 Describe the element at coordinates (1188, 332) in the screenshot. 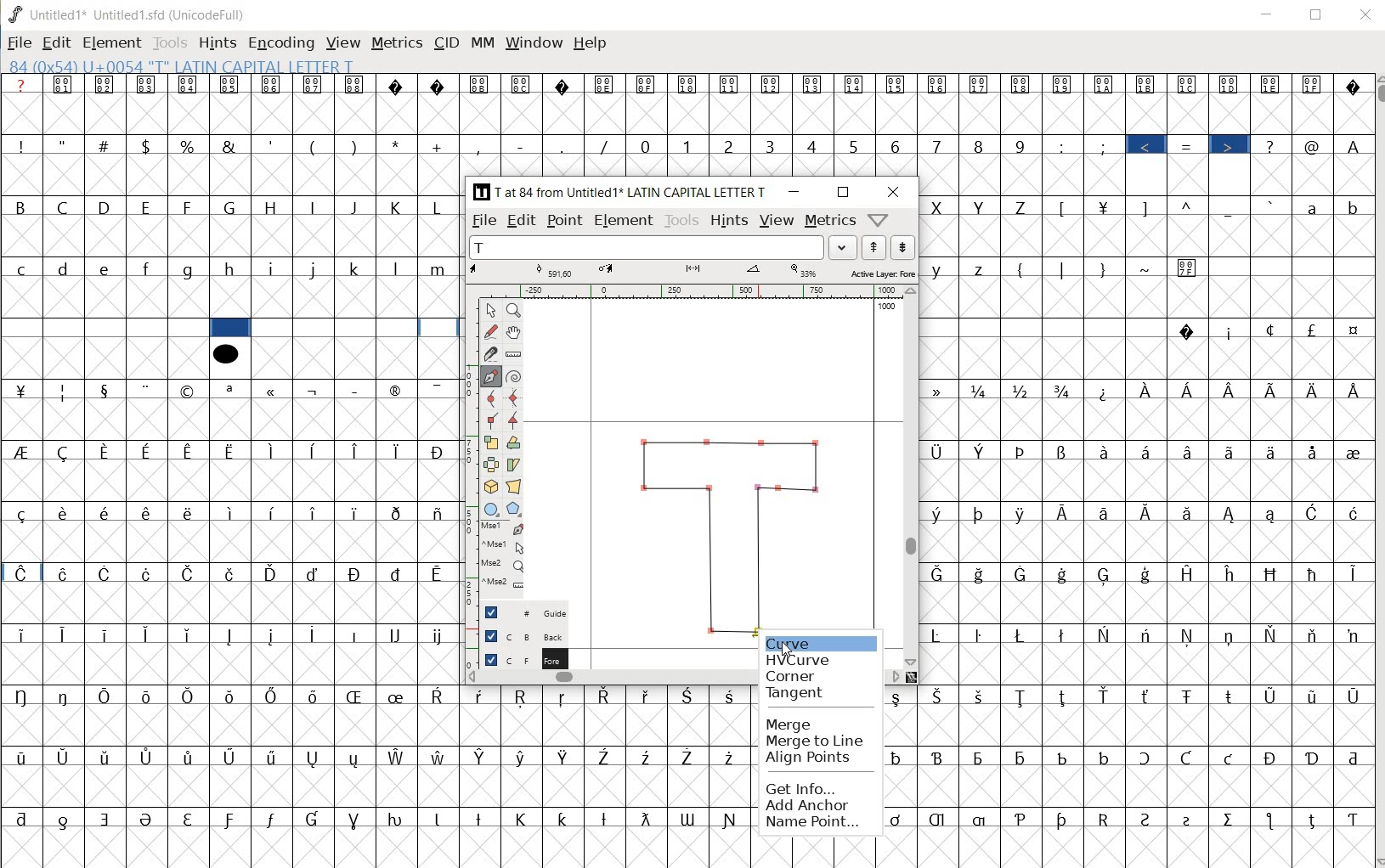

I see `Symbol` at that location.